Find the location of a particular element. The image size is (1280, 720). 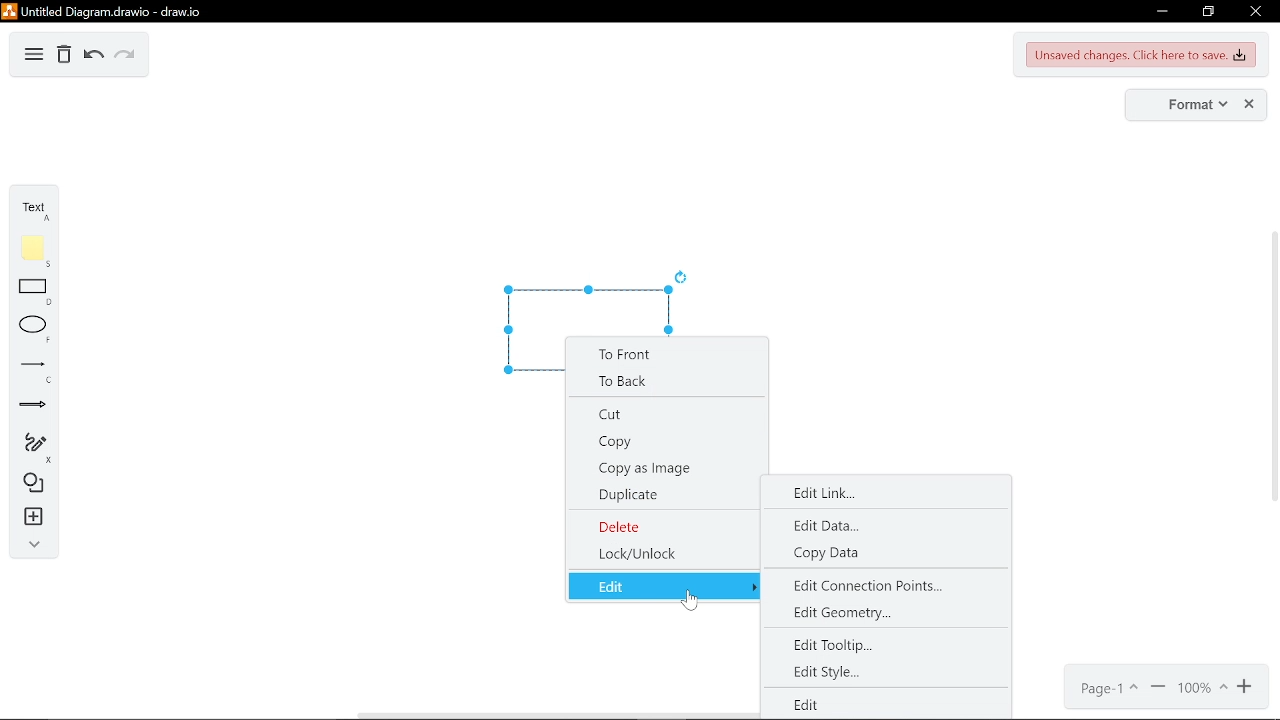

cut is located at coordinates (664, 415).